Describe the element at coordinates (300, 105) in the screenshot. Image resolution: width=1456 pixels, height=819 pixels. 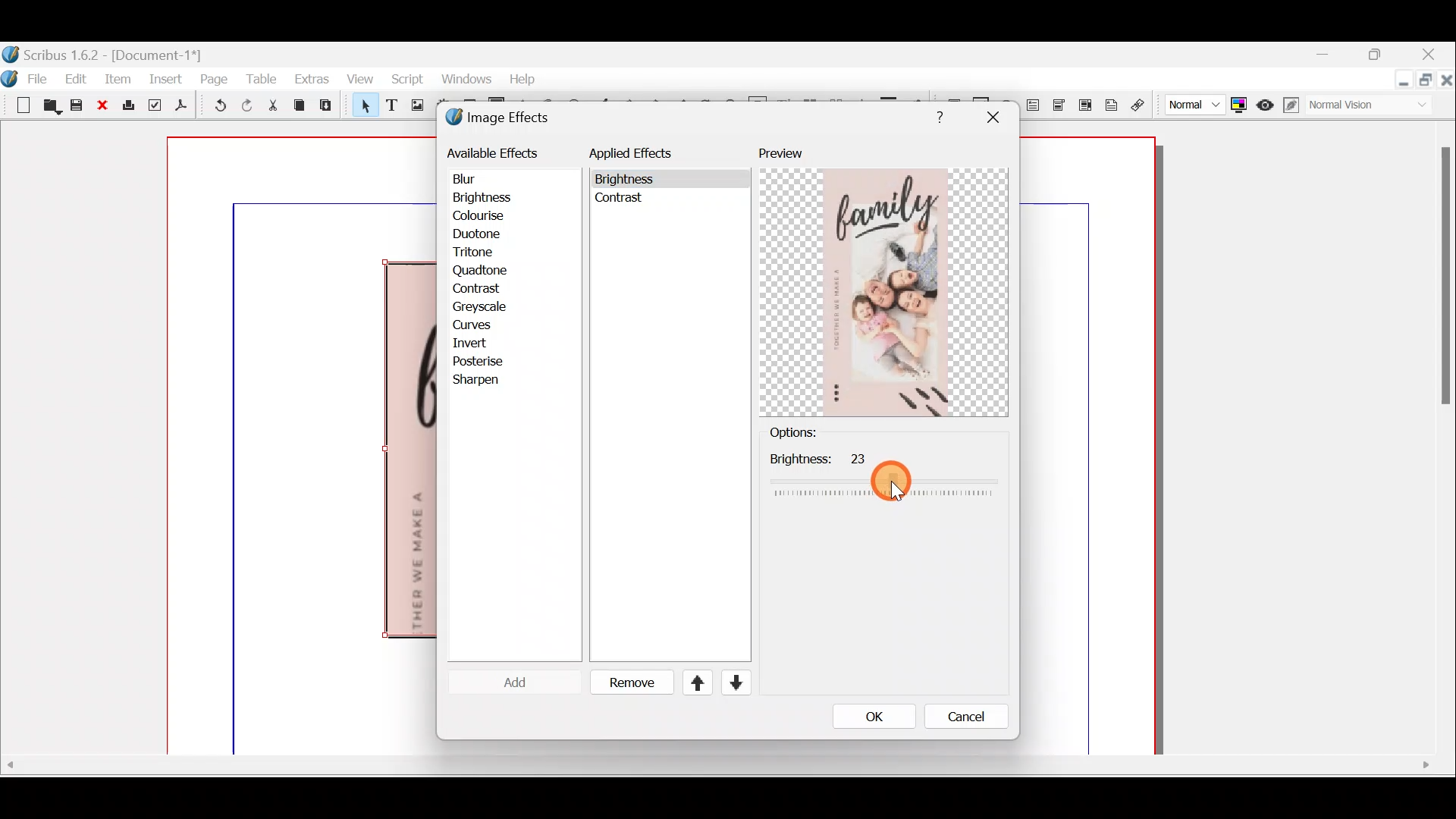
I see `Copy` at that location.